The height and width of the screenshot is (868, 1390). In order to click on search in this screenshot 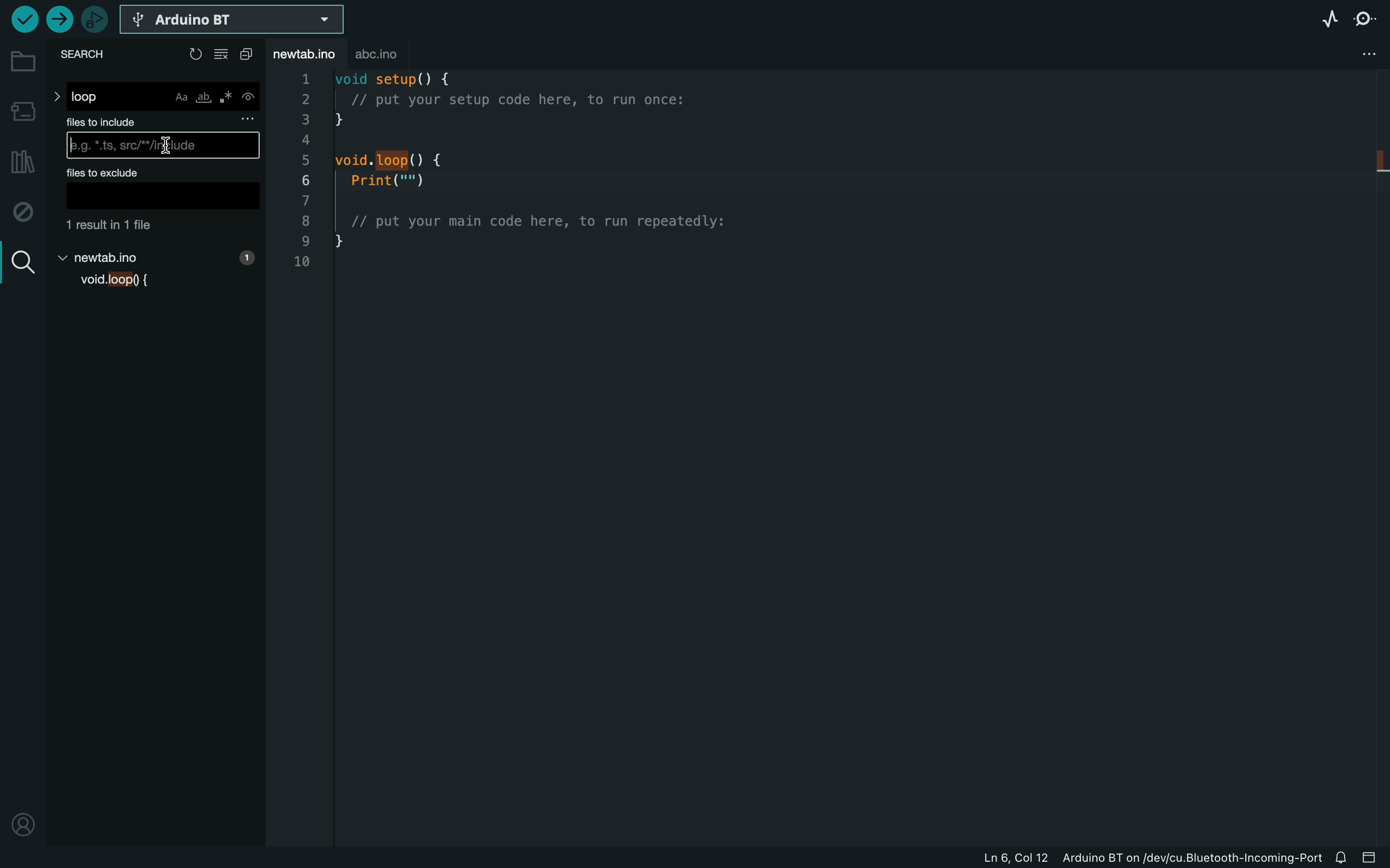, I will do `click(22, 263)`.